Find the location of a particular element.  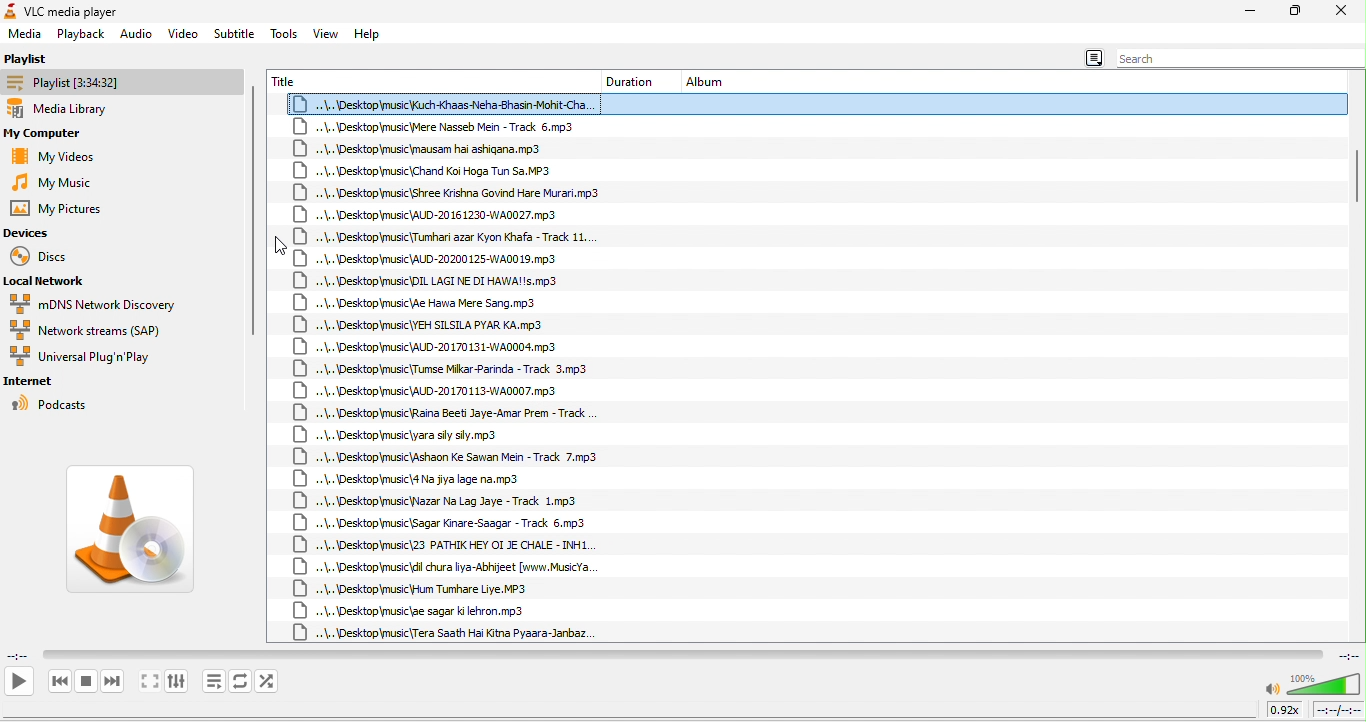

random is located at coordinates (269, 681).